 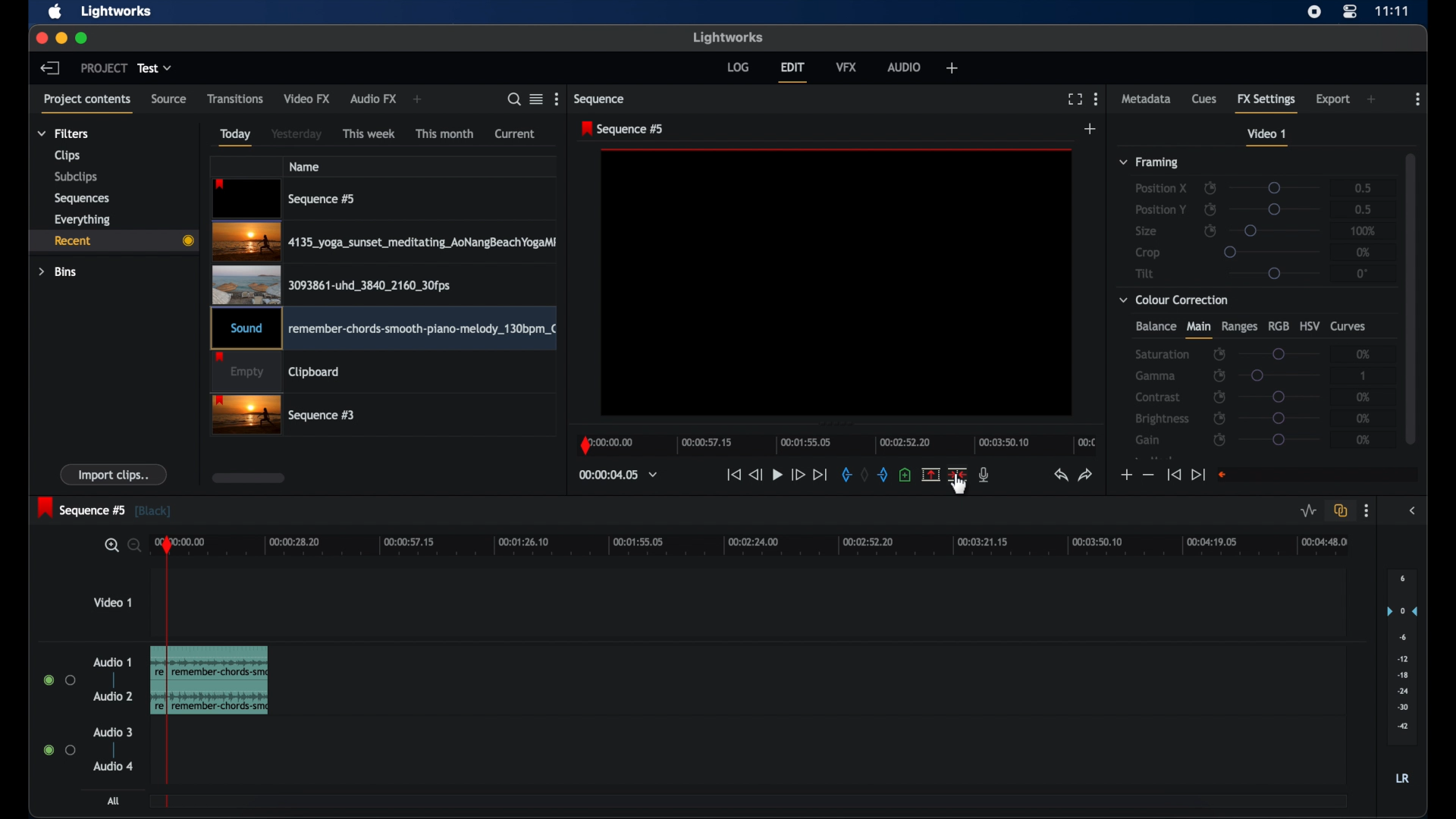 What do you see at coordinates (1410, 297) in the screenshot?
I see `scroll bar` at bounding box center [1410, 297].